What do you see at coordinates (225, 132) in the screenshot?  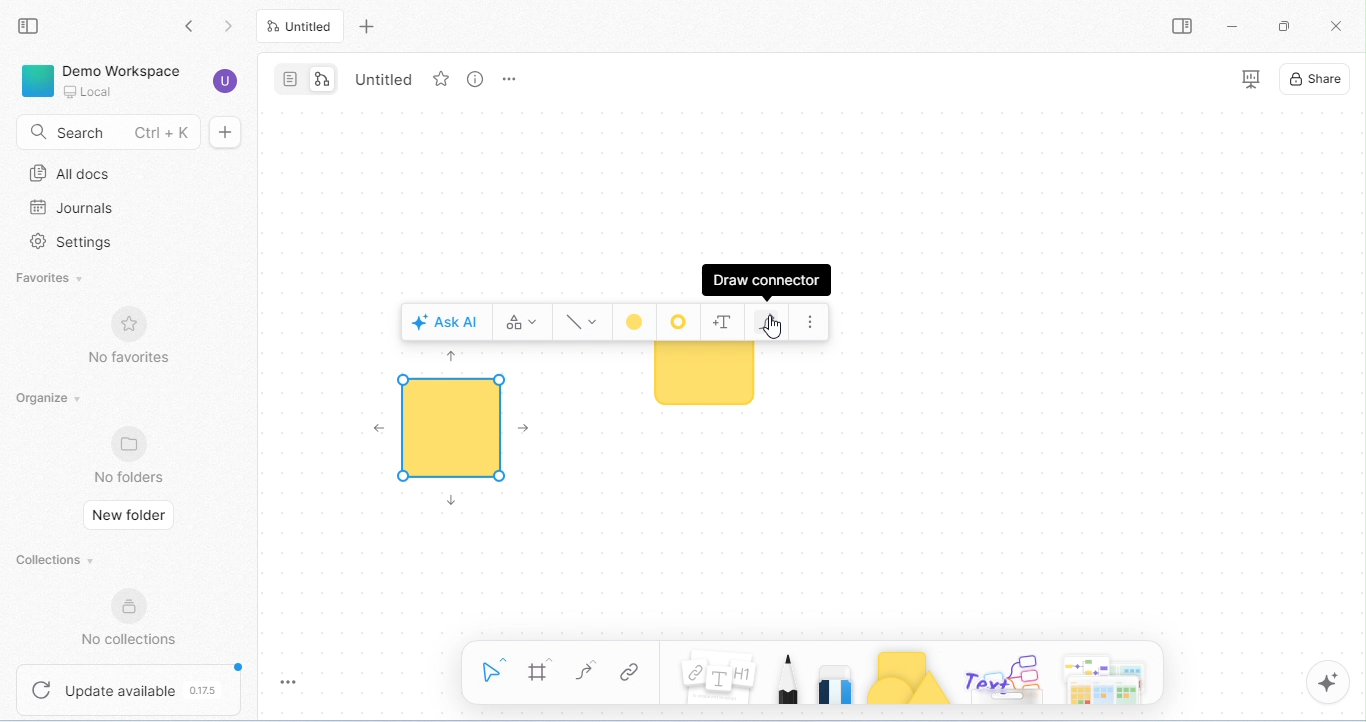 I see `new doc` at bounding box center [225, 132].